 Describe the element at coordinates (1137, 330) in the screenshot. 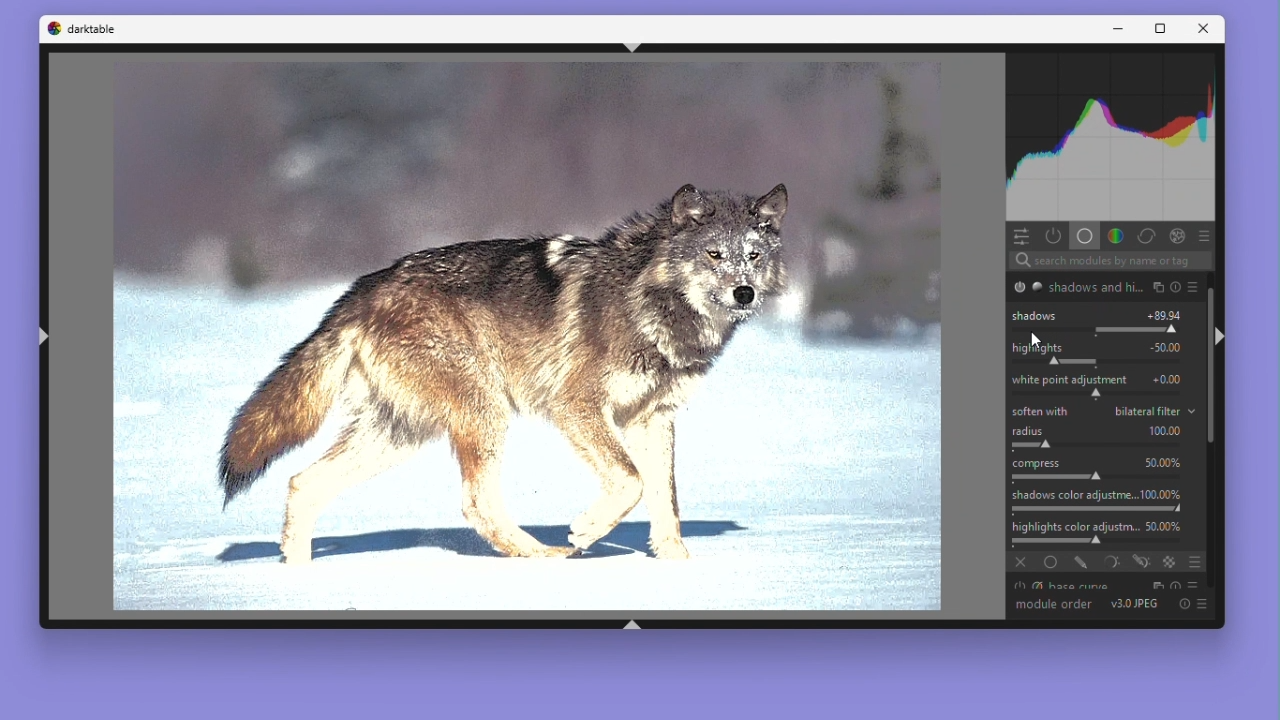

I see `correct shadows` at that location.